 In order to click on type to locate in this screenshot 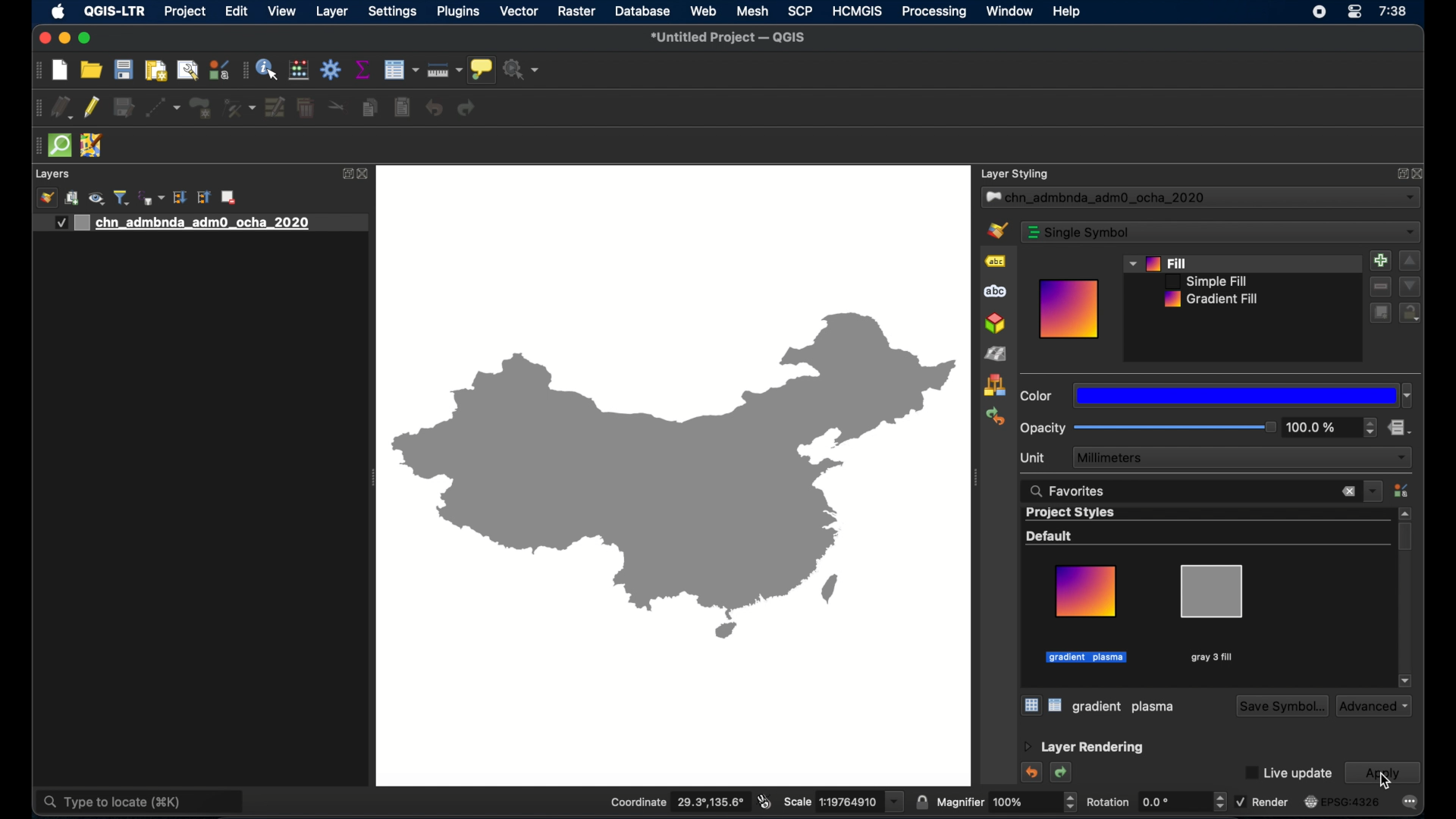, I will do `click(140, 803)`.